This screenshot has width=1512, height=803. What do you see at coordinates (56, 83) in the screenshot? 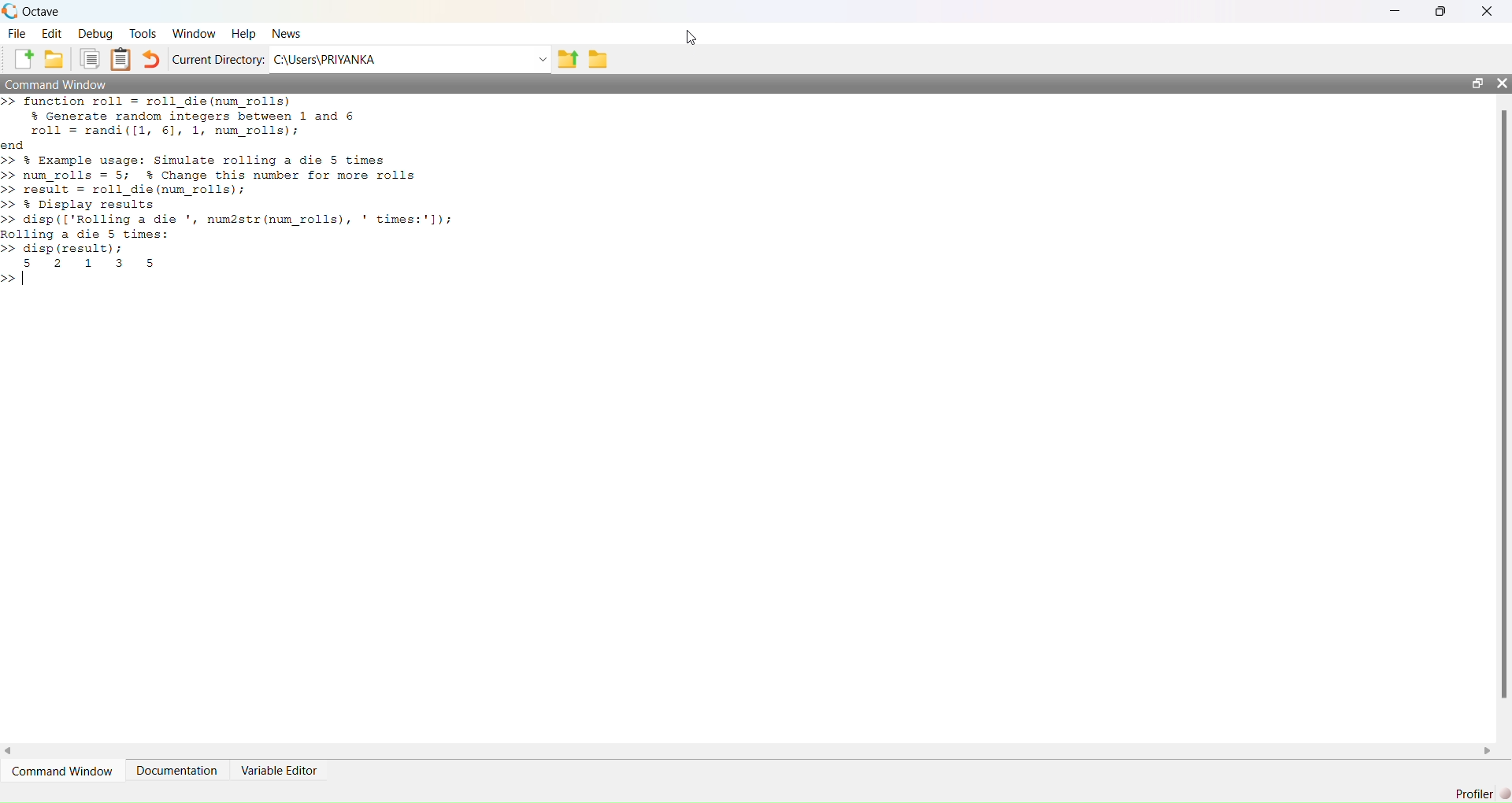
I see `Command Window` at bounding box center [56, 83].